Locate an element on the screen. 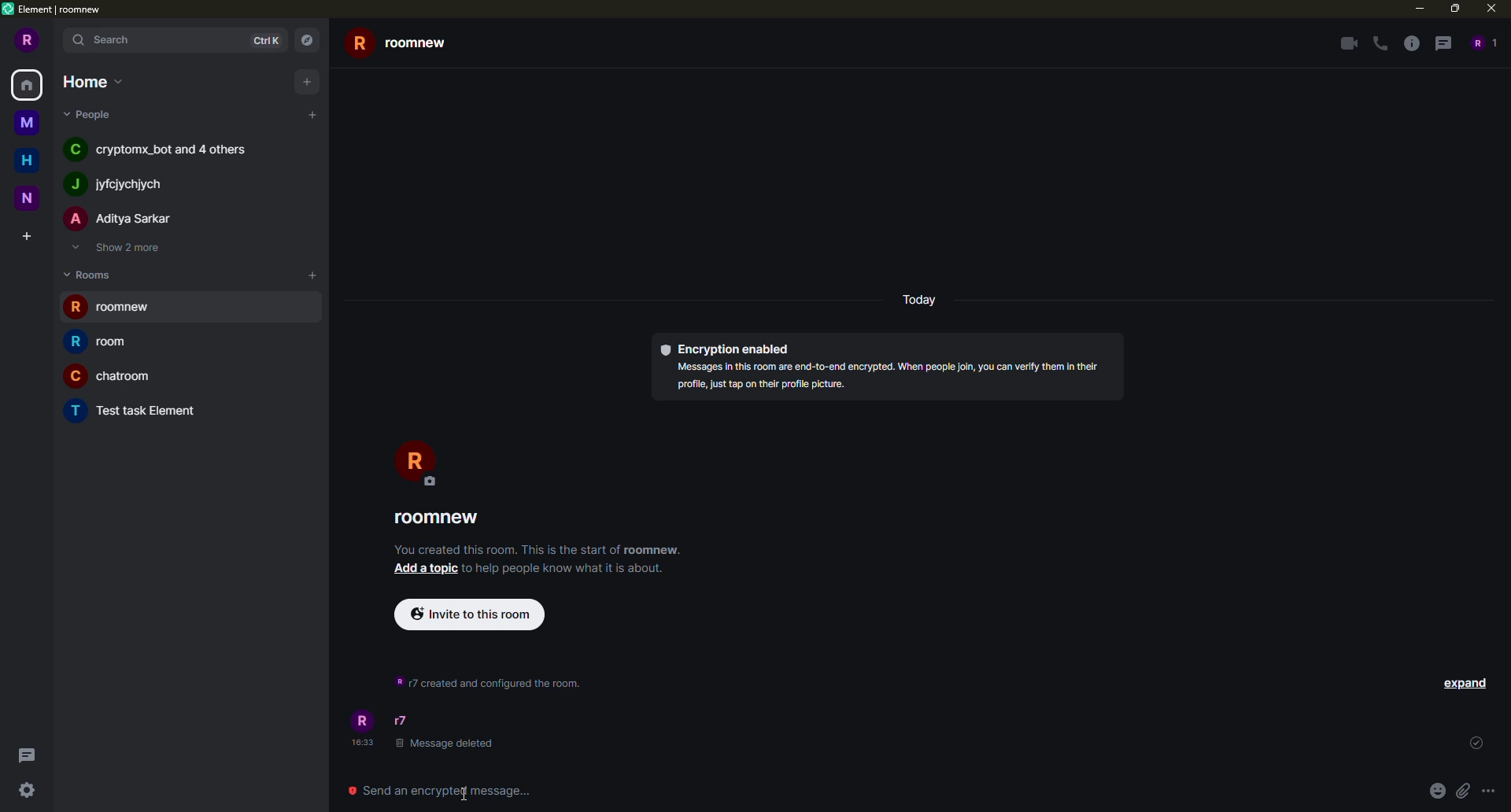  space is located at coordinates (28, 123).